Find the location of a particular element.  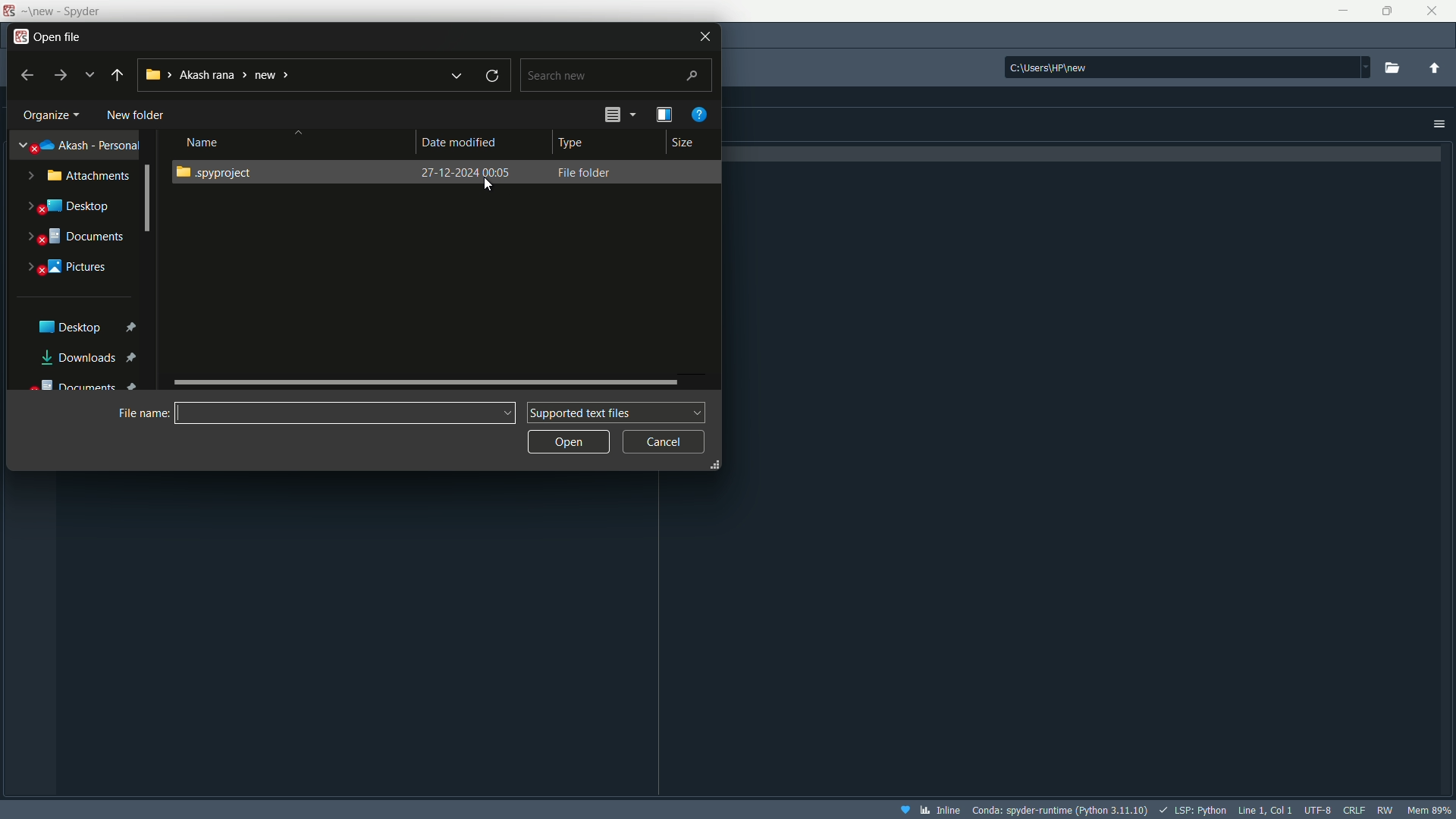

back is located at coordinates (27, 76).